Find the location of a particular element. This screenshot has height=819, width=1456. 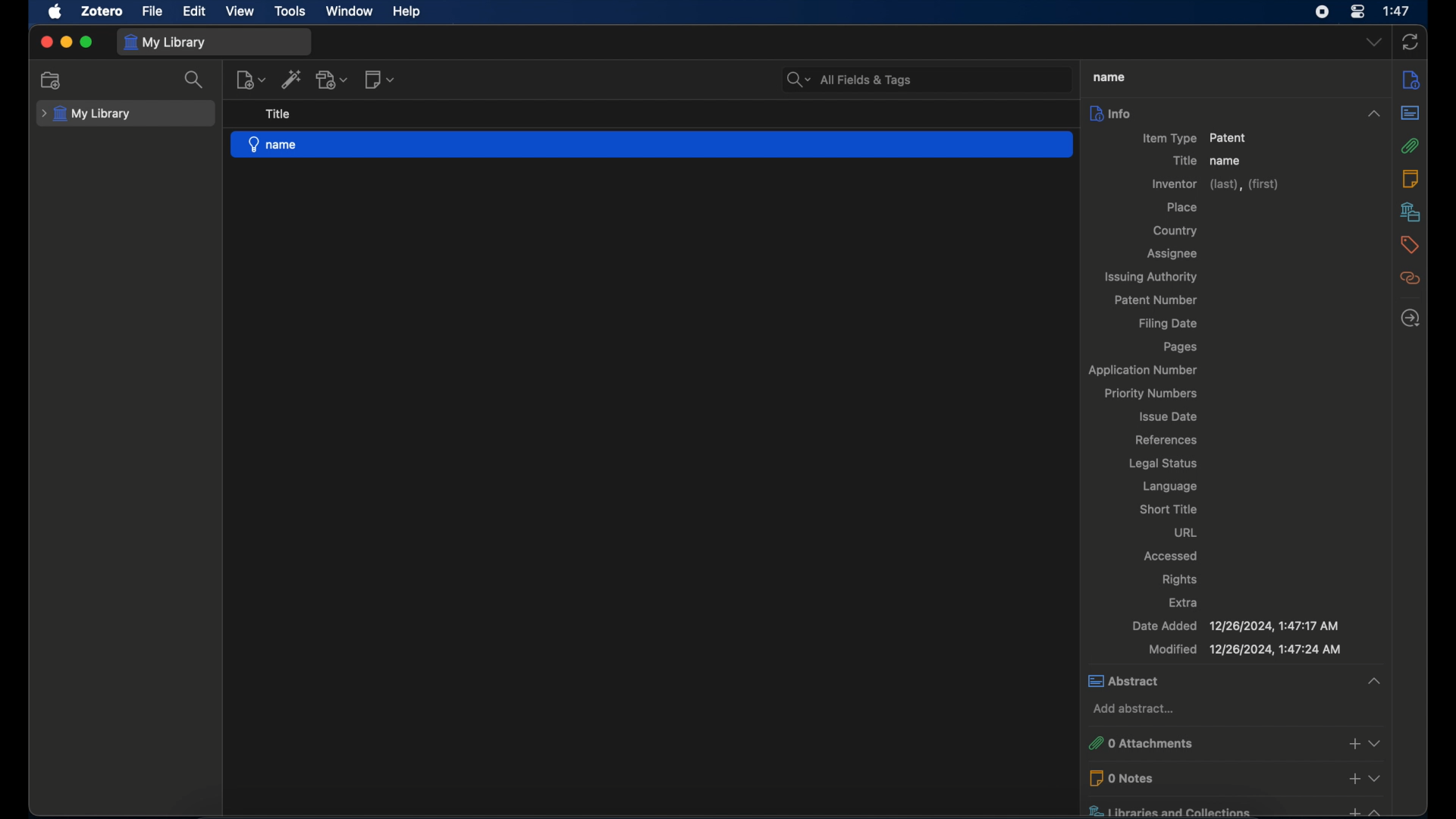

add item by identifier is located at coordinates (291, 80).